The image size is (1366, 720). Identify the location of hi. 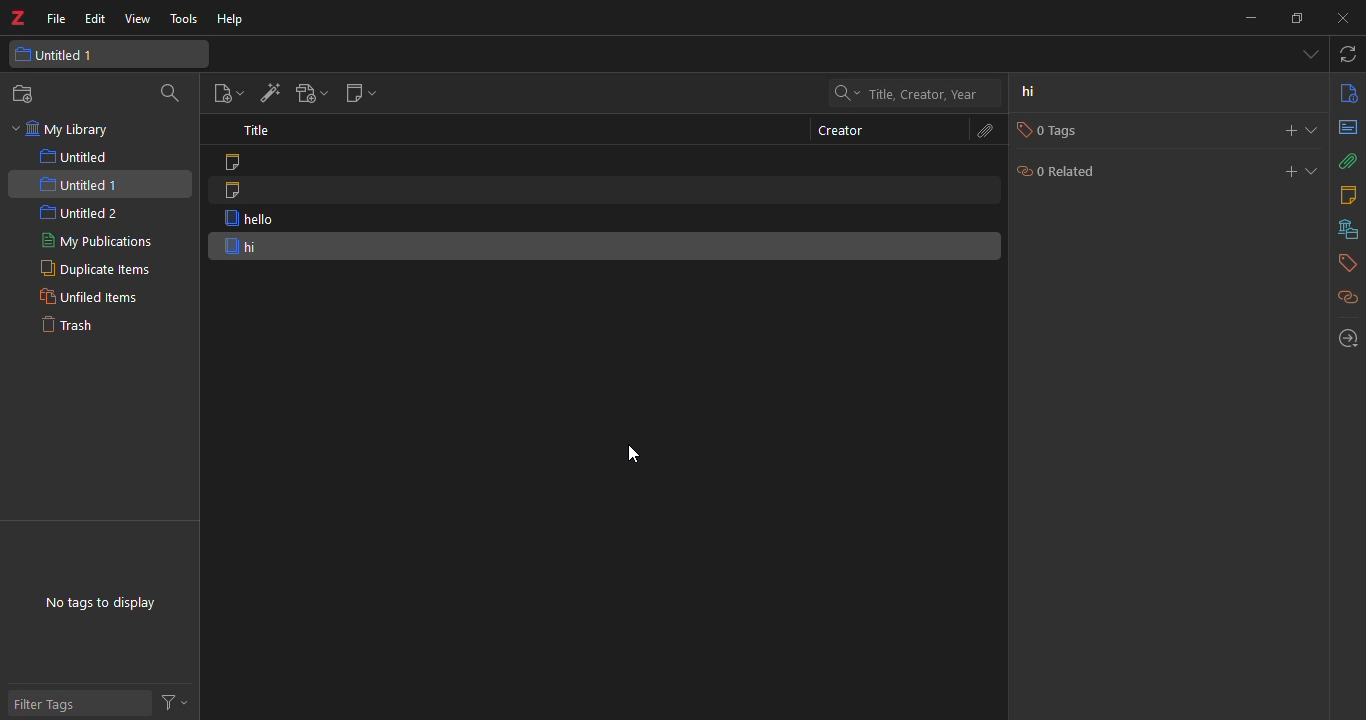
(244, 248).